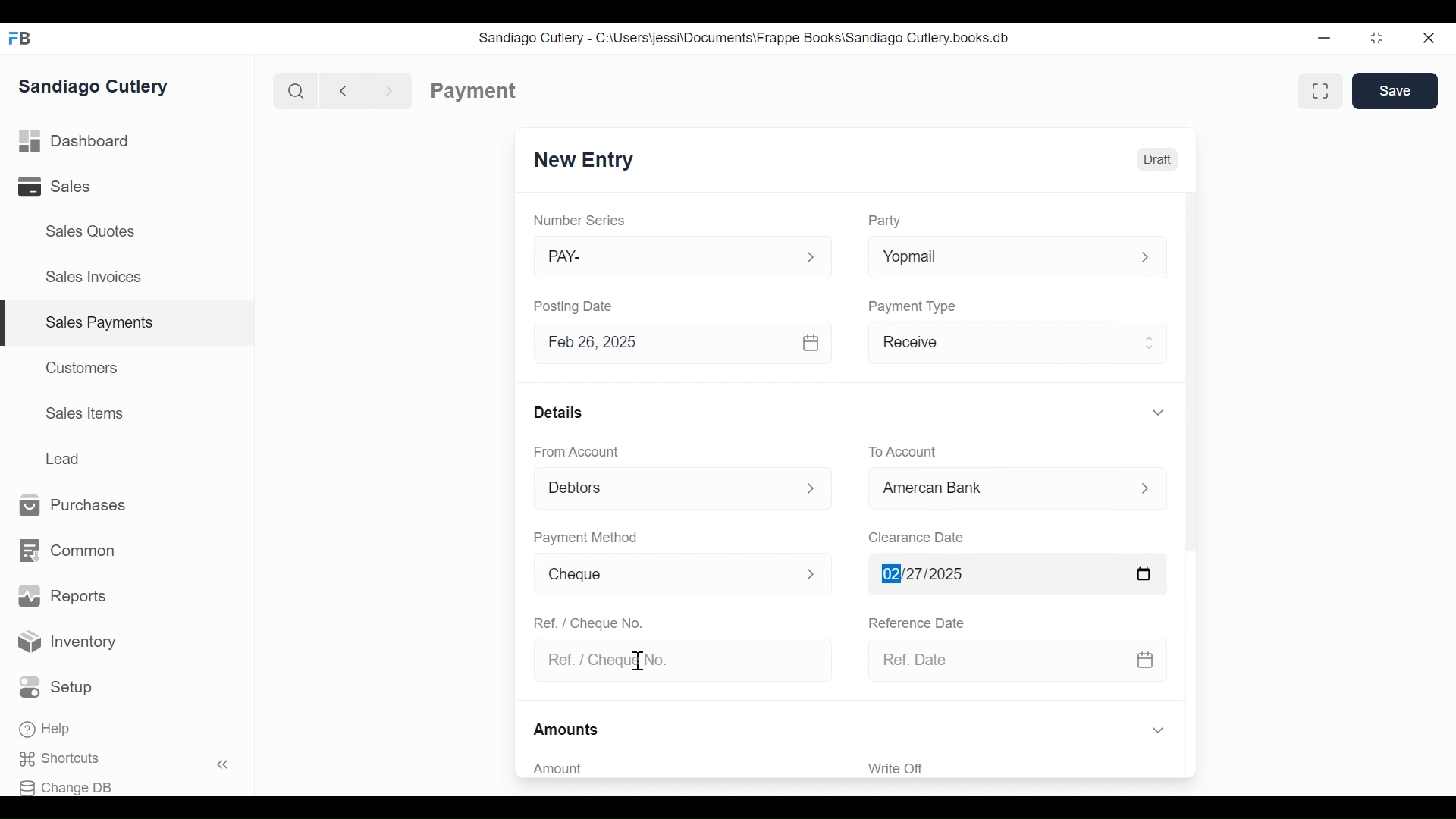 The width and height of the screenshot is (1456, 819). What do you see at coordinates (884, 221) in the screenshot?
I see `Party` at bounding box center [884, 221].